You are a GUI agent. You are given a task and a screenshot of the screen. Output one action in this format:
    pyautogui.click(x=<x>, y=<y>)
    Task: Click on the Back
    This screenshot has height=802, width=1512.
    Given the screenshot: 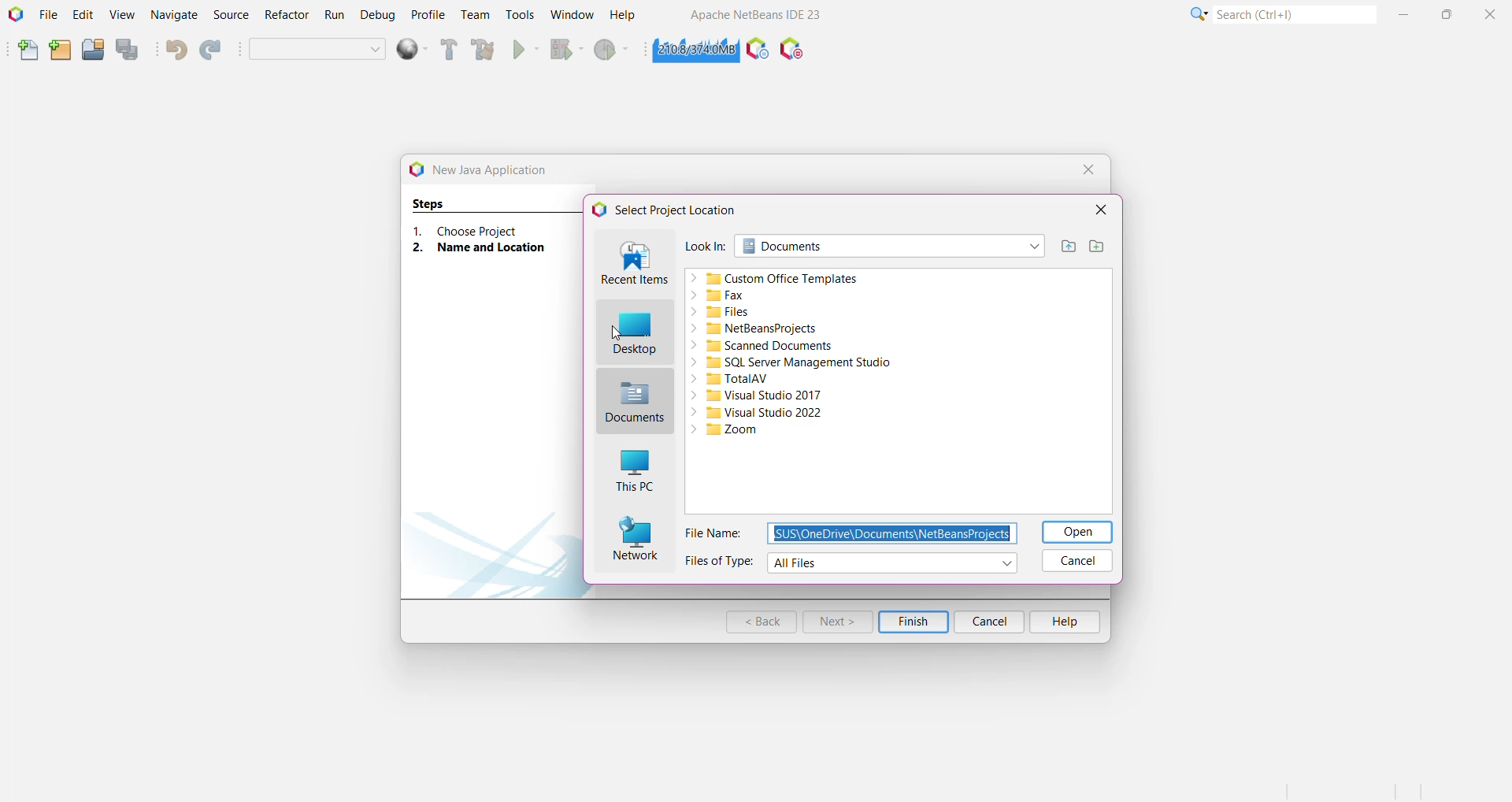 What is the action you would take?
    pyautogui.click(x=762, y=622)
    